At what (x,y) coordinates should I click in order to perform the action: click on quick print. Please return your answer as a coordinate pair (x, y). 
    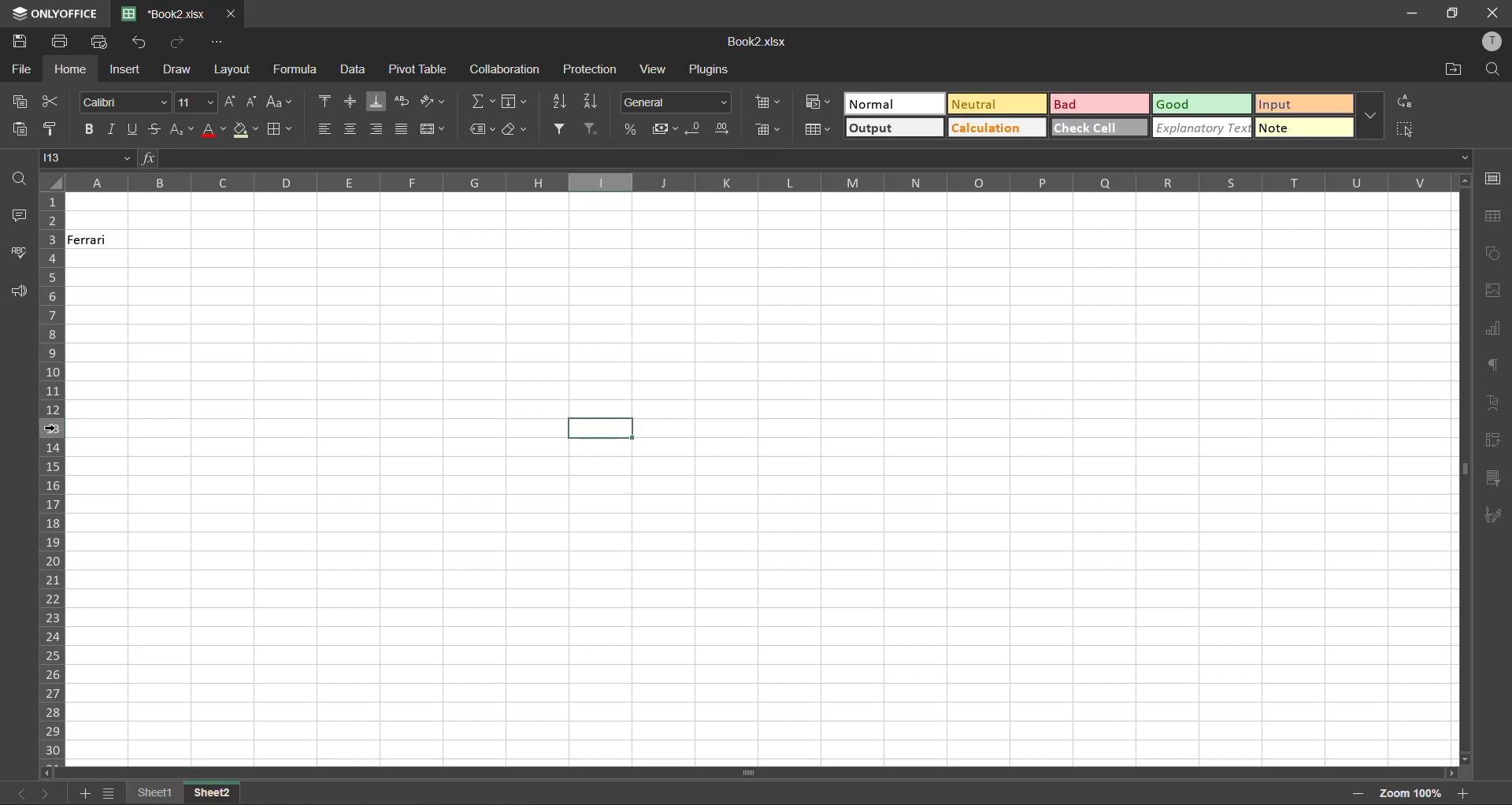
    Looking at the image, I should click on (102, 43).